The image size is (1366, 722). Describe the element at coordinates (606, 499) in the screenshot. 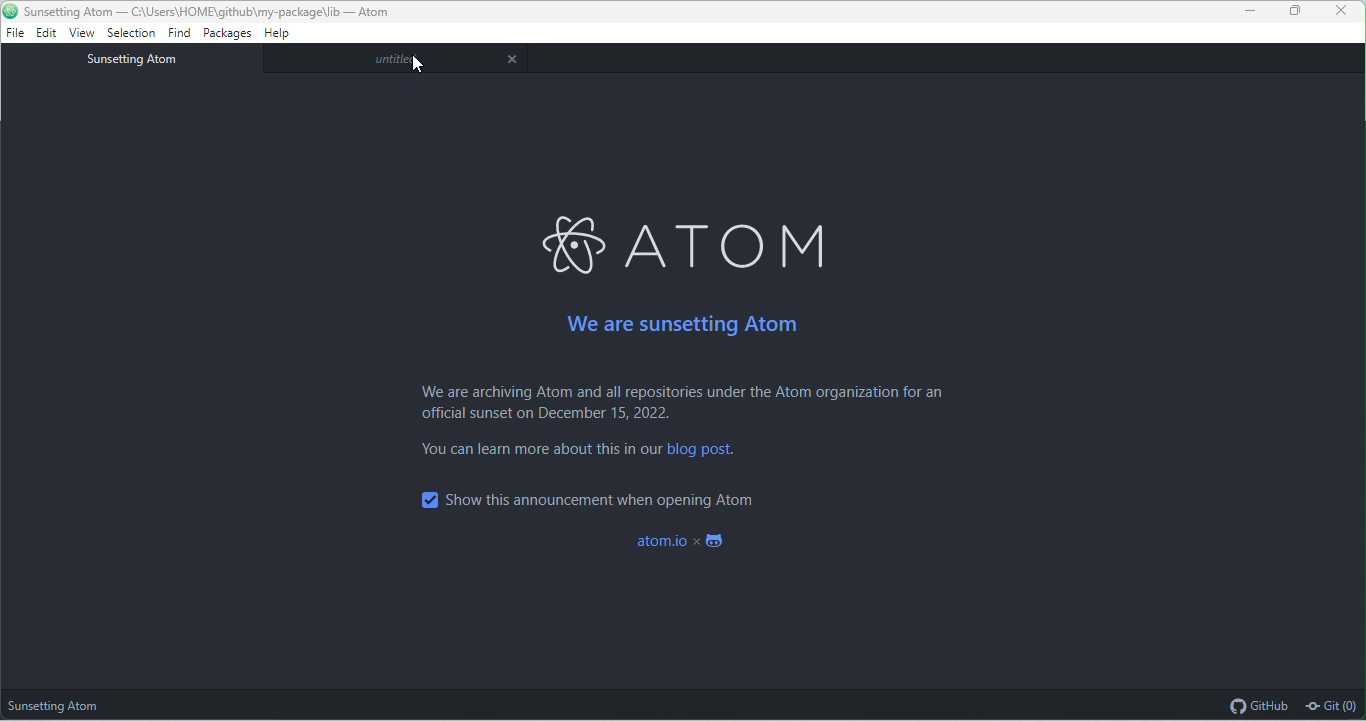

I see `show this while opening atom` at that location.